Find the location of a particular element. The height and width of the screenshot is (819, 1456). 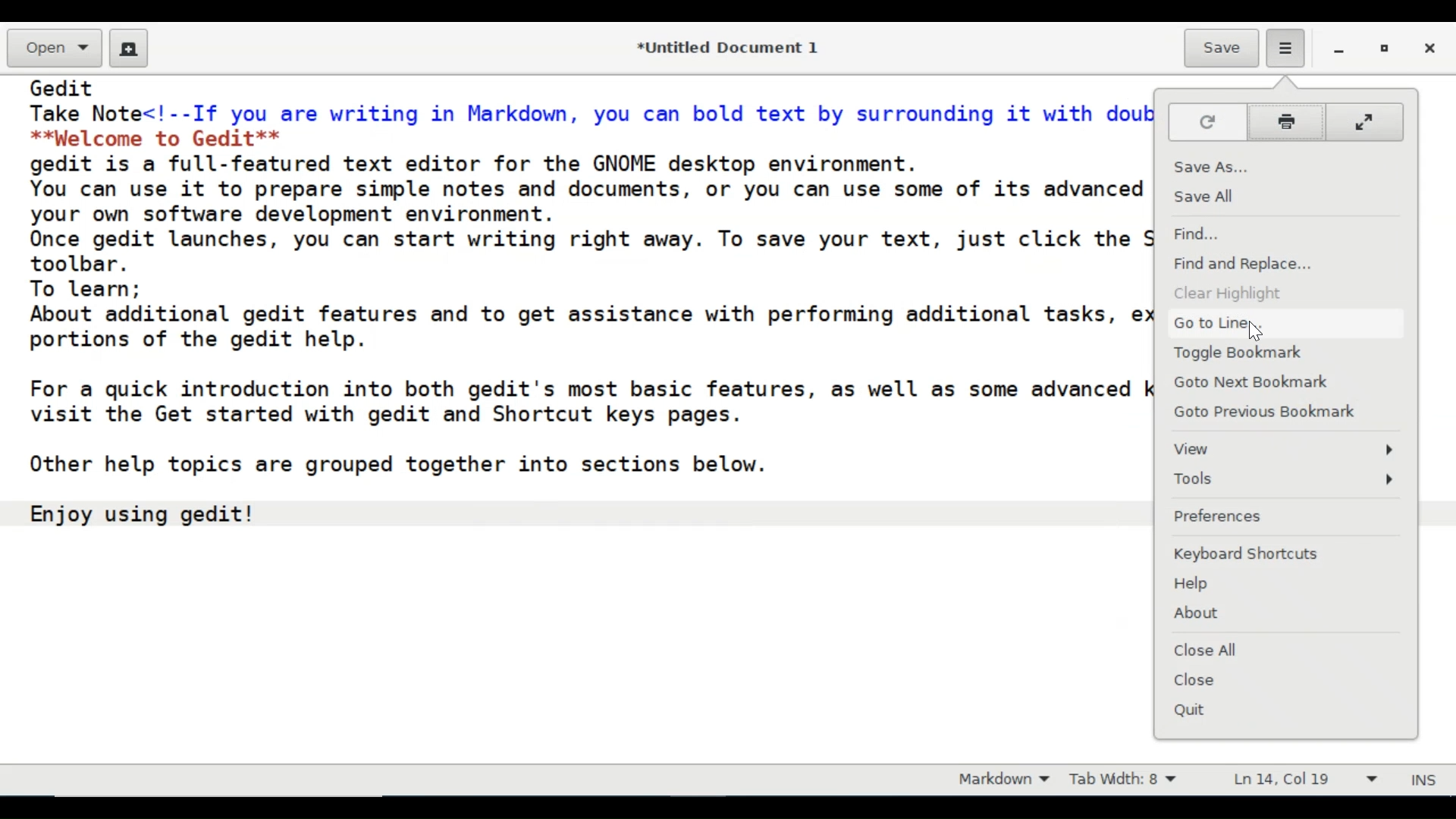

Other help topics are grouped together into sections below. is located at coordinates (397, 465).